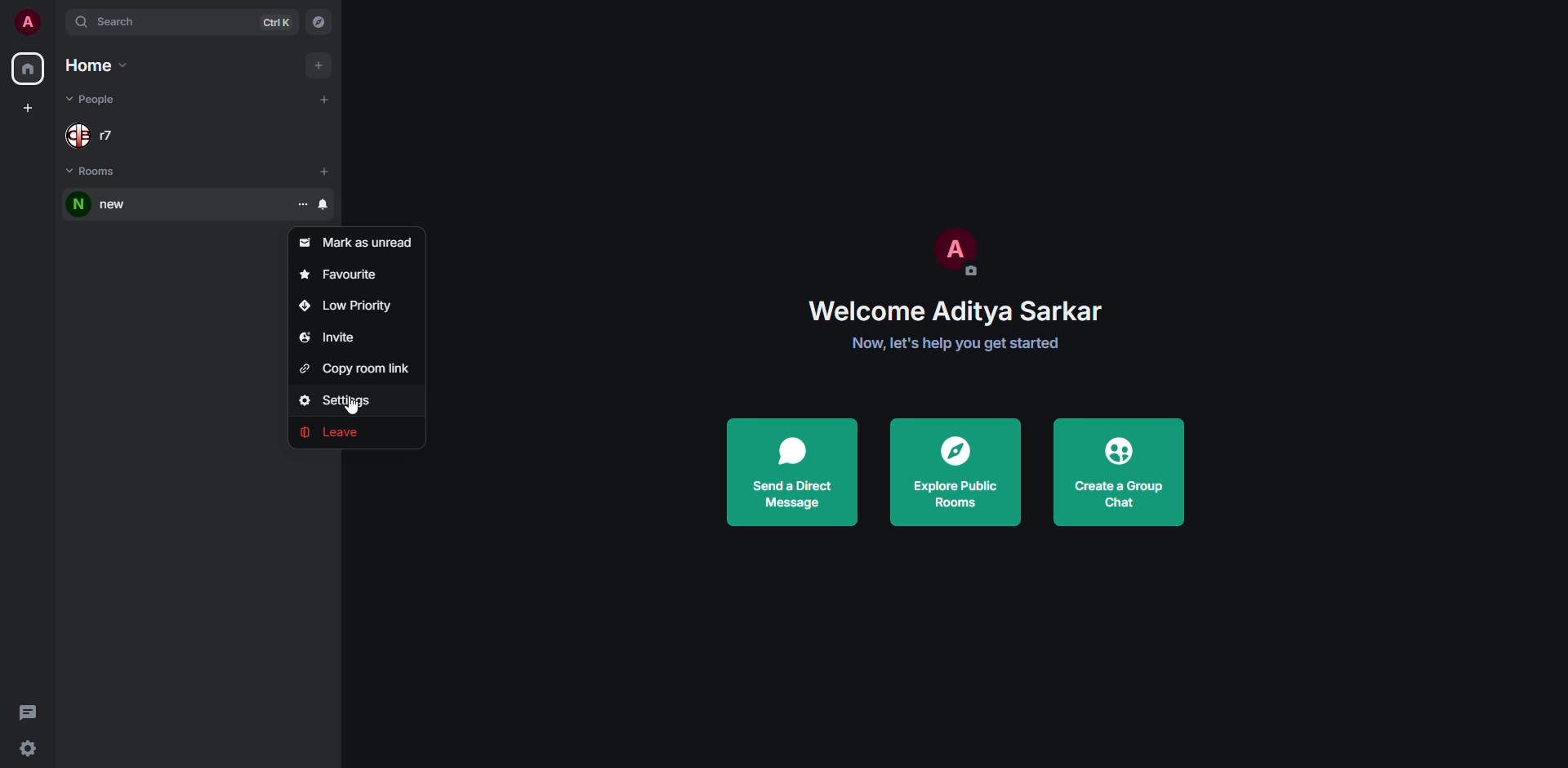 The width and height of the screenshot is (1568, 768). I want to click on home, so click(26, 69).